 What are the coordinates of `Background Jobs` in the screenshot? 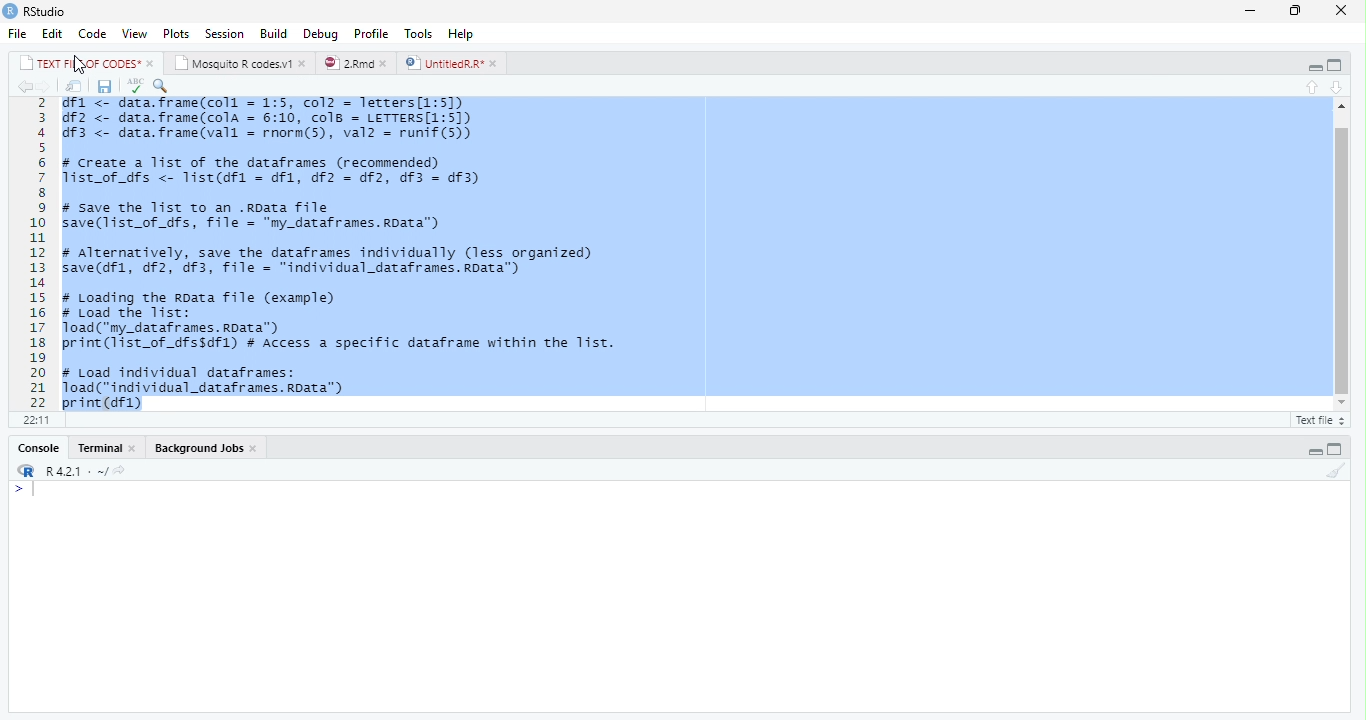 It's located at (202, 448).